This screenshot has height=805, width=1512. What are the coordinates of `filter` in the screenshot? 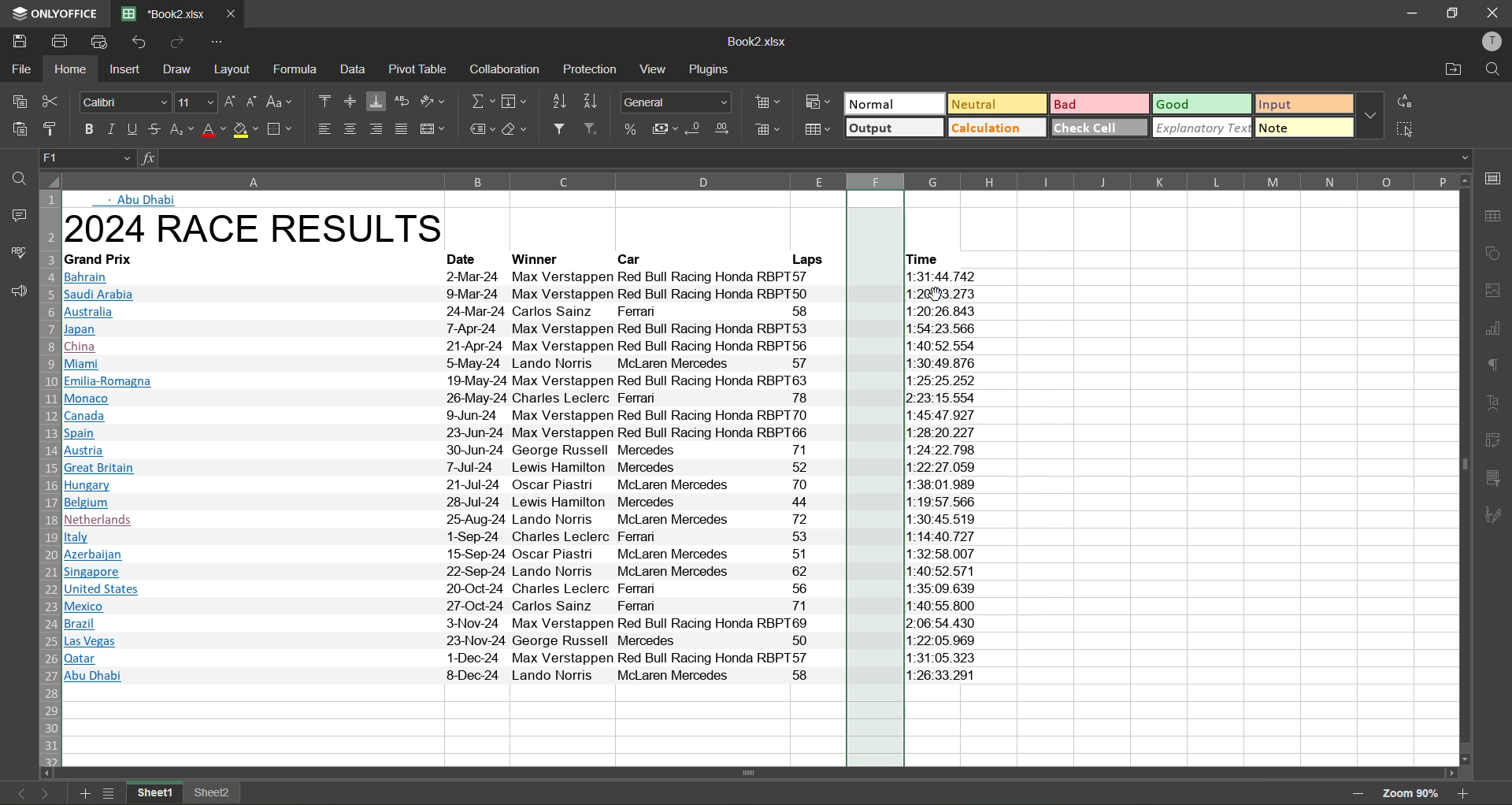 It's located at (557, 129).